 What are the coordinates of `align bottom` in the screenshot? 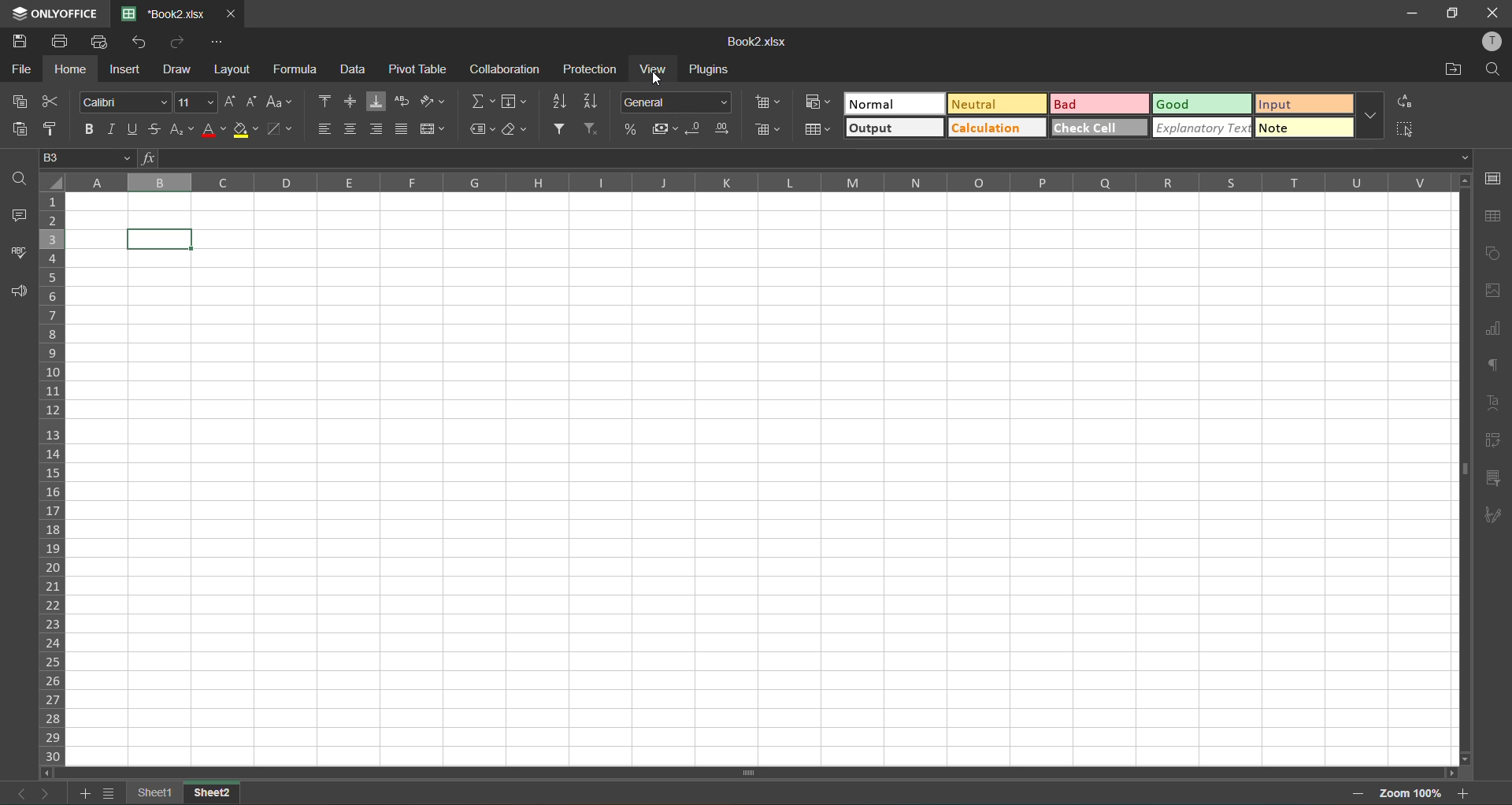 It's located at (376, 103).